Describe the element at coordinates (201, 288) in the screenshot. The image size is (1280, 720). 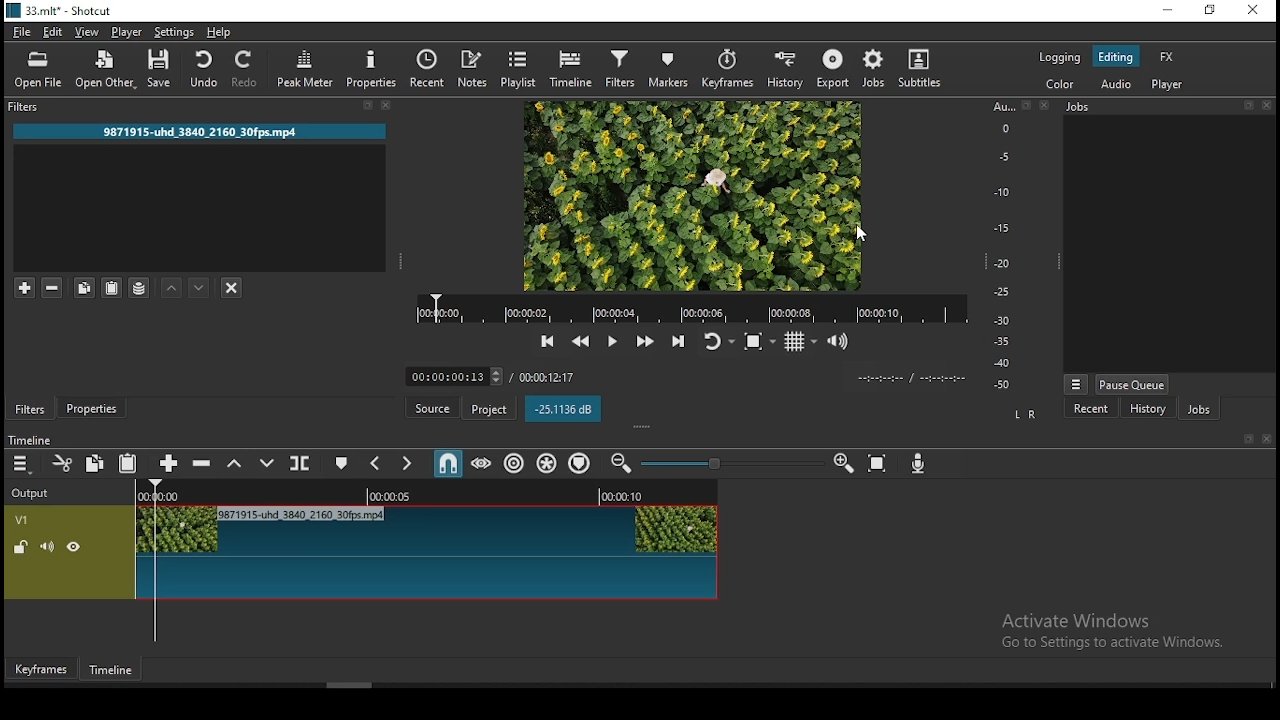
I see `move filter down` at that location.